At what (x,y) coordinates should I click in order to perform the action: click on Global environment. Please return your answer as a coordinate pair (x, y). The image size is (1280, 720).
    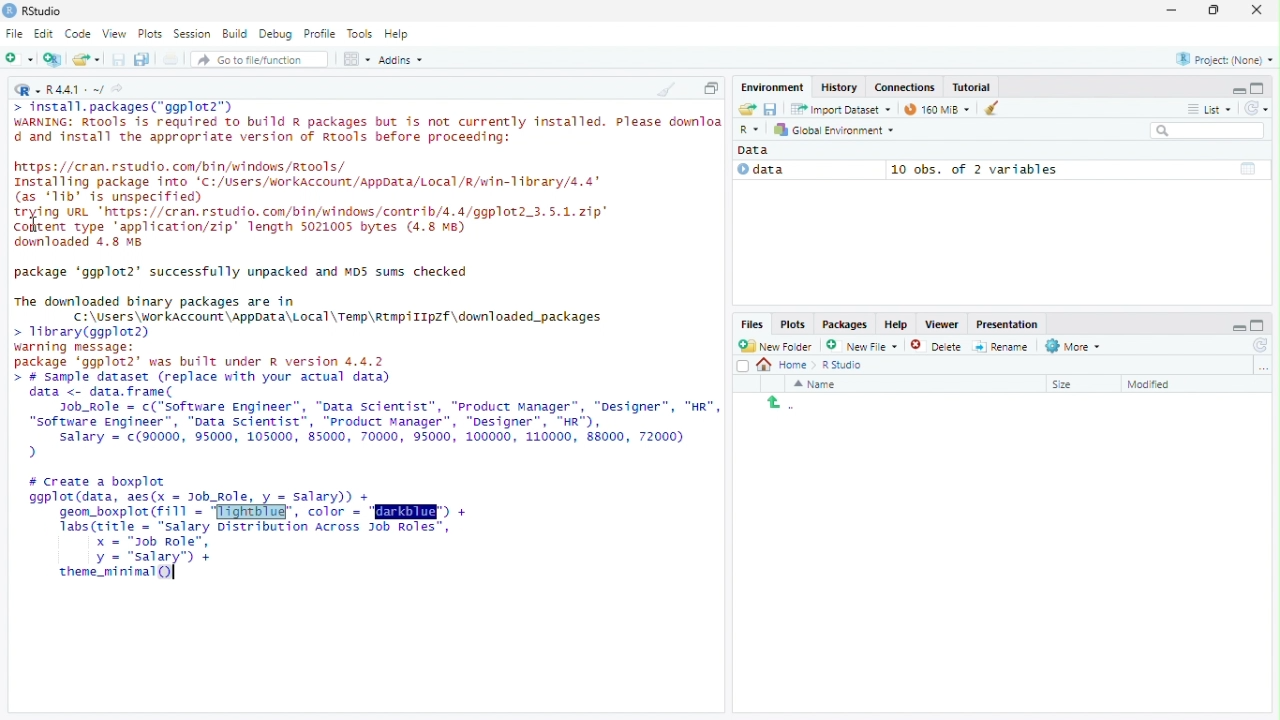
    Looking at the image, I should click on (835, 130).